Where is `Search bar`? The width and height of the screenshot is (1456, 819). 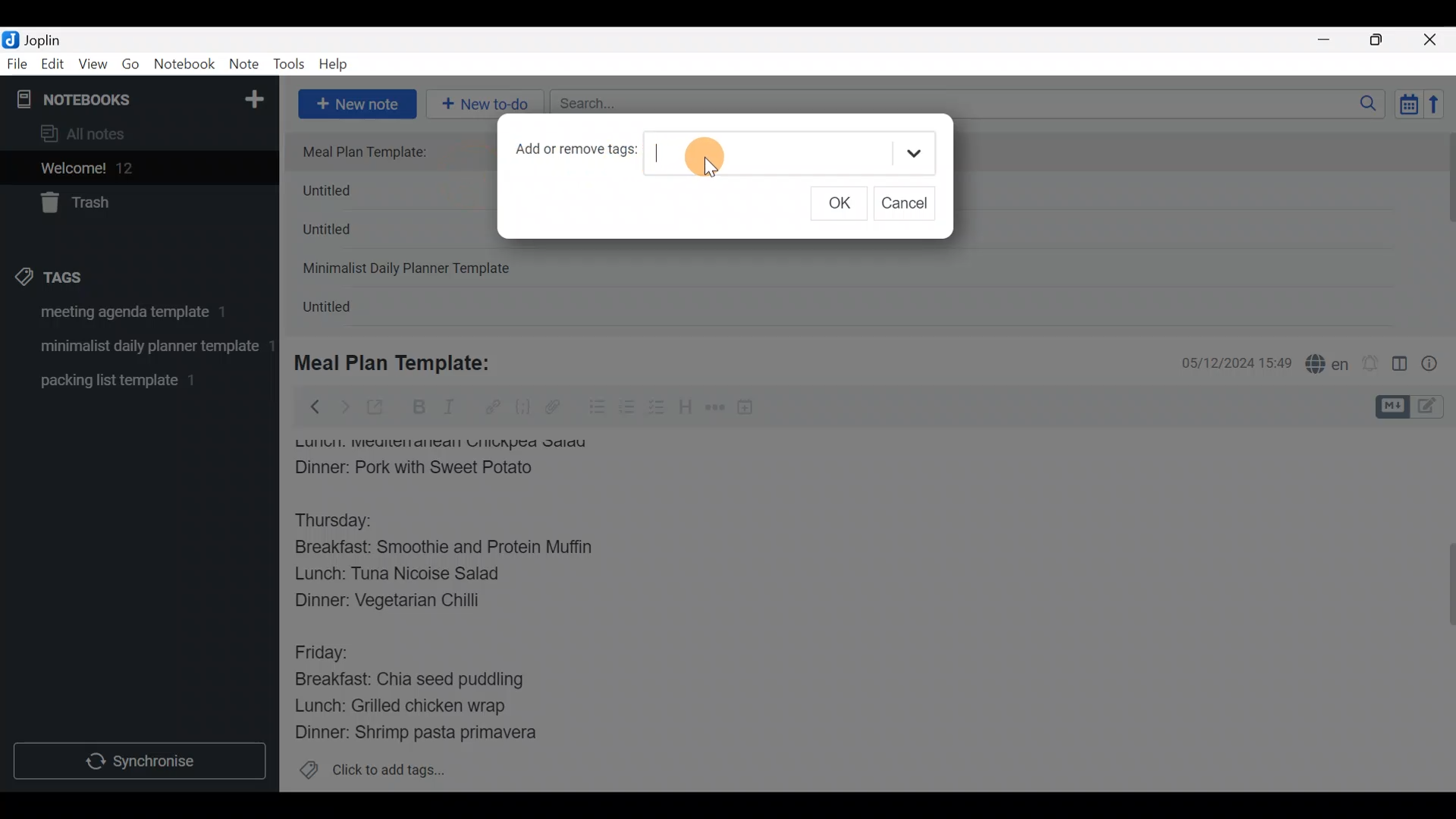 Search bar is located at coordinates (971, 102).